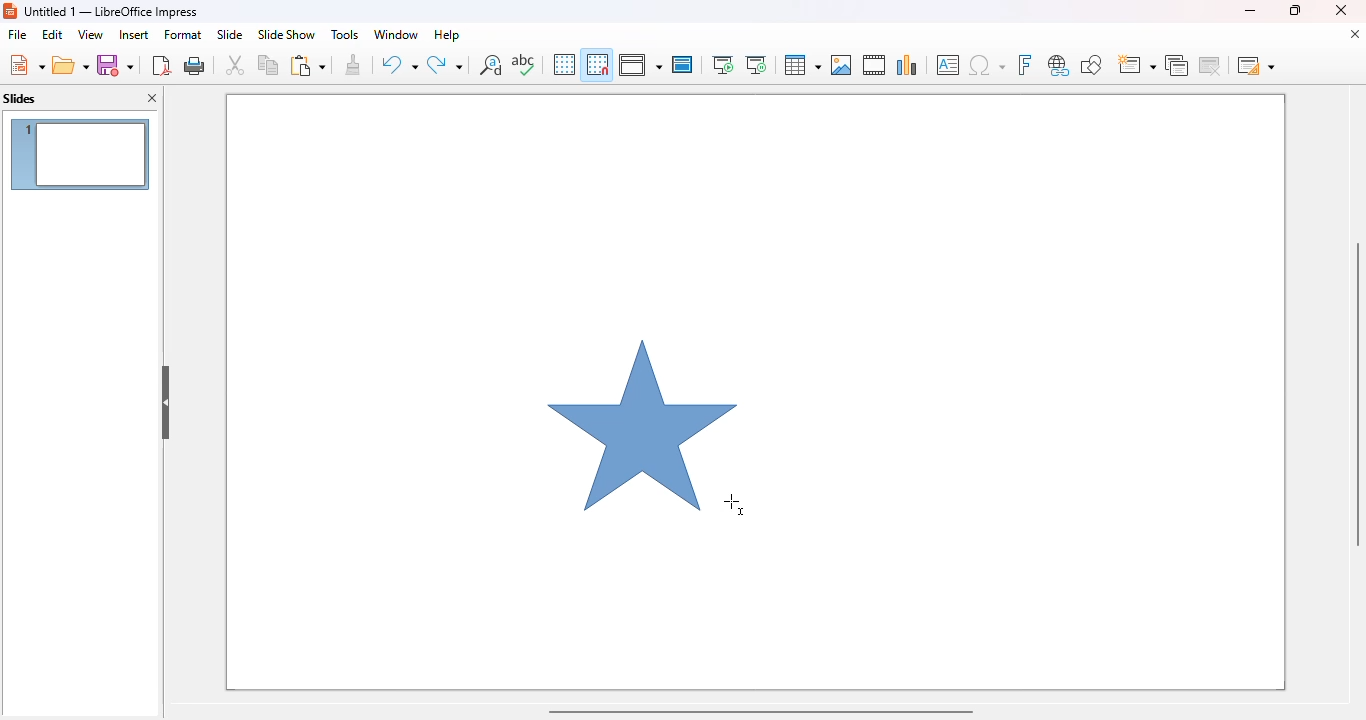 The width and height of the screenshot is (1366, 720). What do you see at coordinates (1293, 10) in the screenshot?
I see `maximize` at bounding box center [1293, 10].